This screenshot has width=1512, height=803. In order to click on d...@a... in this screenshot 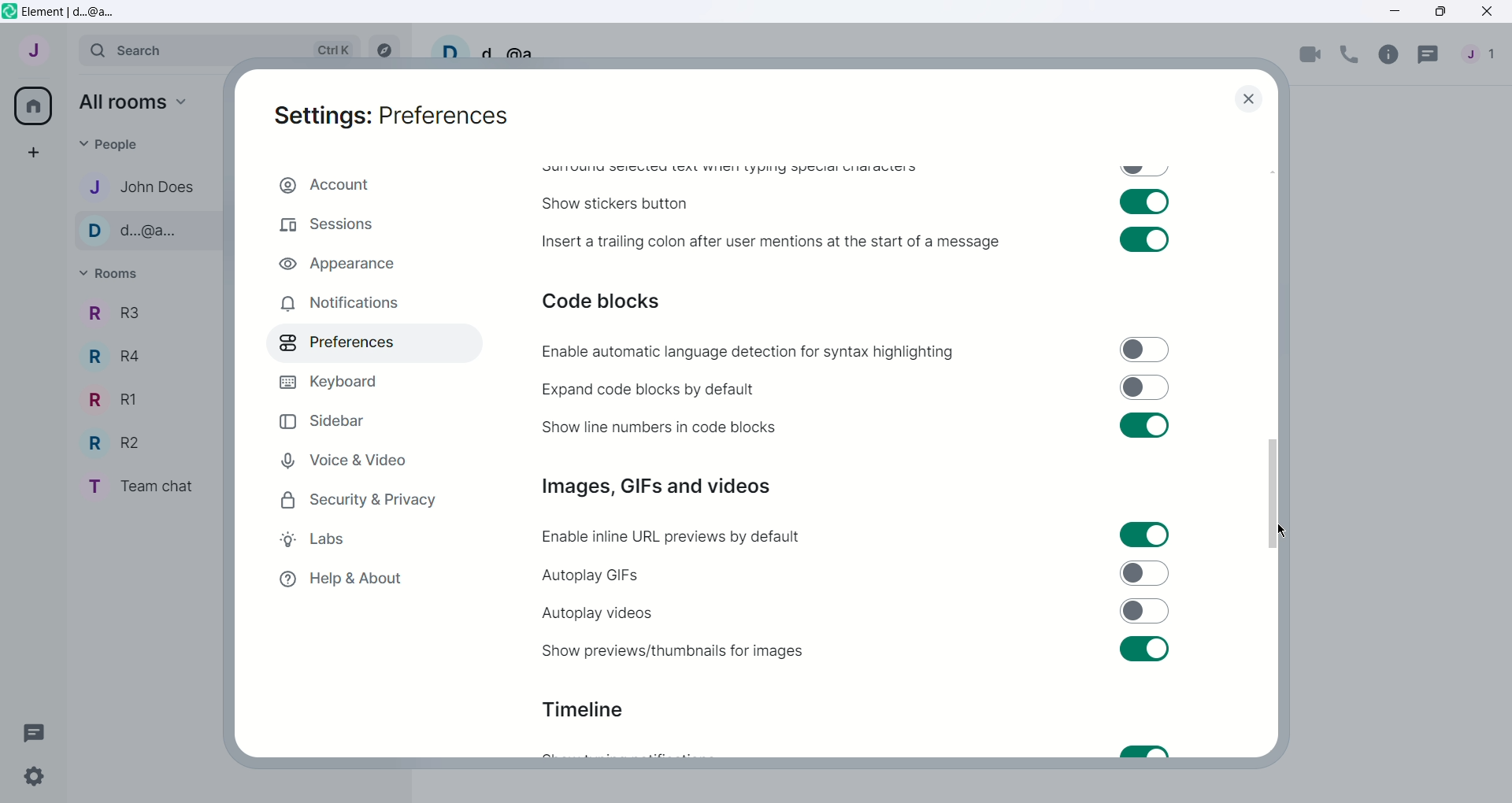, I will do `click(521, 50)`.